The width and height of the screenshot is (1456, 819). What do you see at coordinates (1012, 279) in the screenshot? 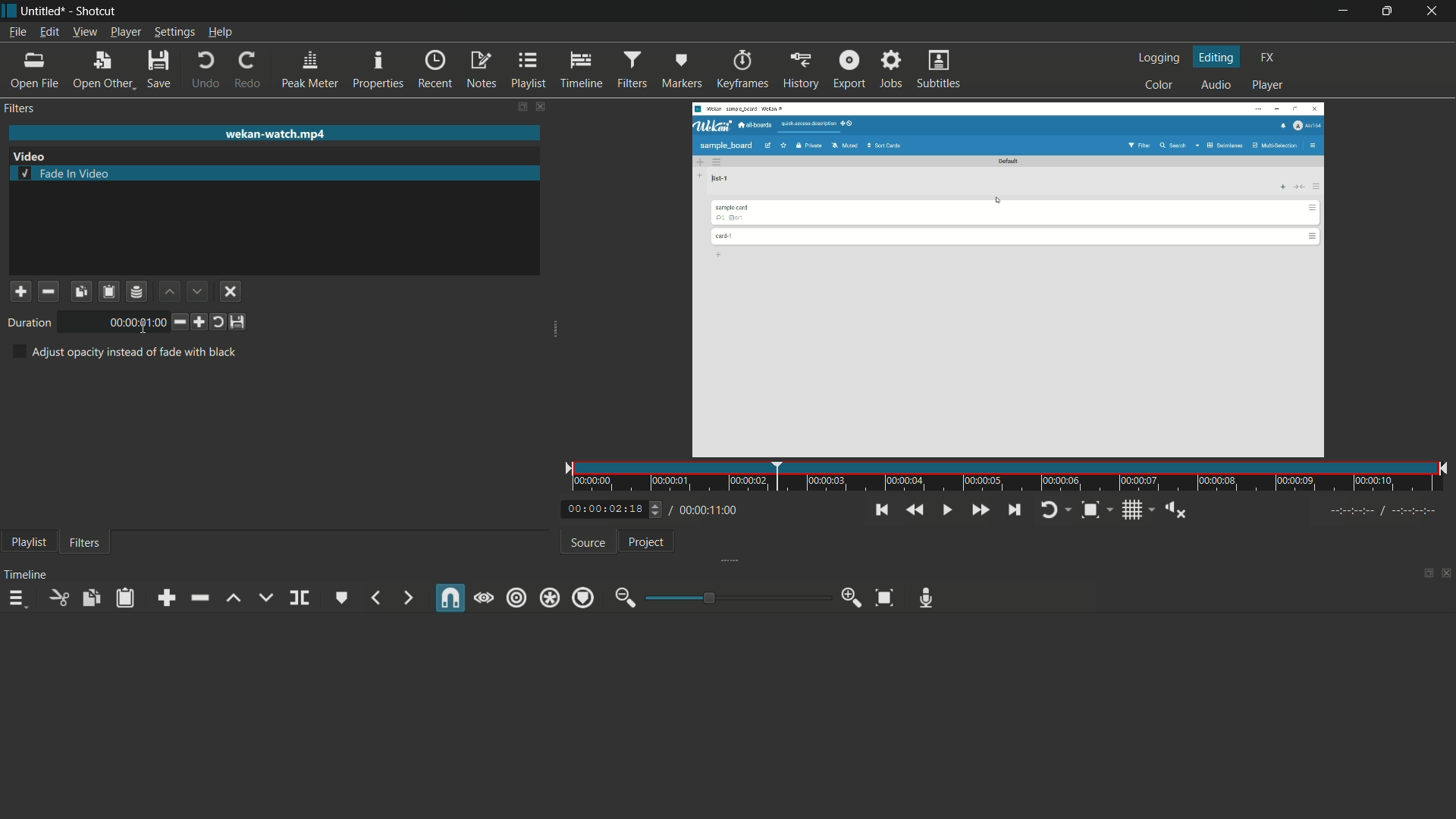
I see `imported video` at bounding box center [1012, 279].